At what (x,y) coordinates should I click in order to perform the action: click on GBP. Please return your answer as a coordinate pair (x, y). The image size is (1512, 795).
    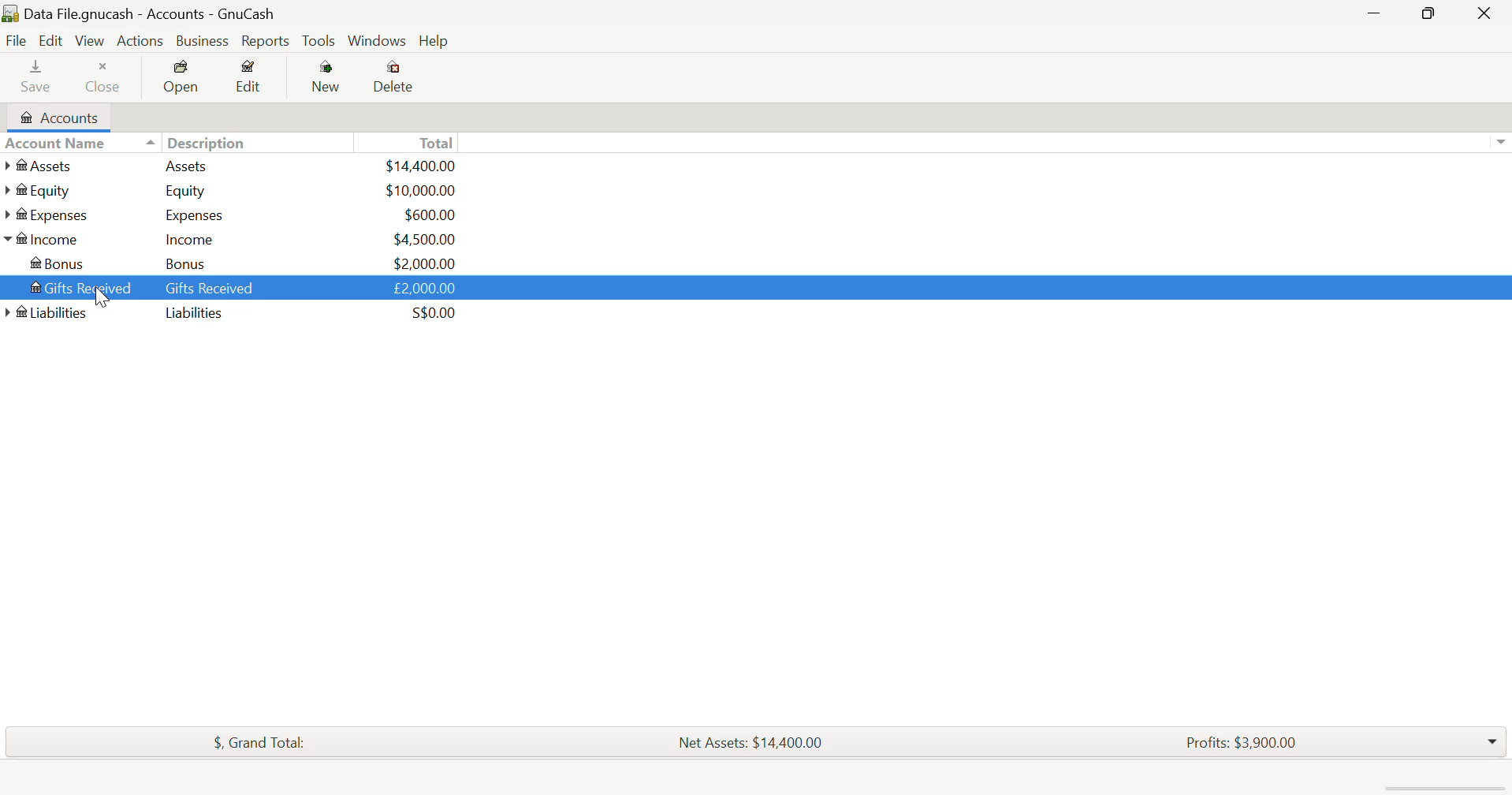
    Looking at the image, I should click on (423, 287).